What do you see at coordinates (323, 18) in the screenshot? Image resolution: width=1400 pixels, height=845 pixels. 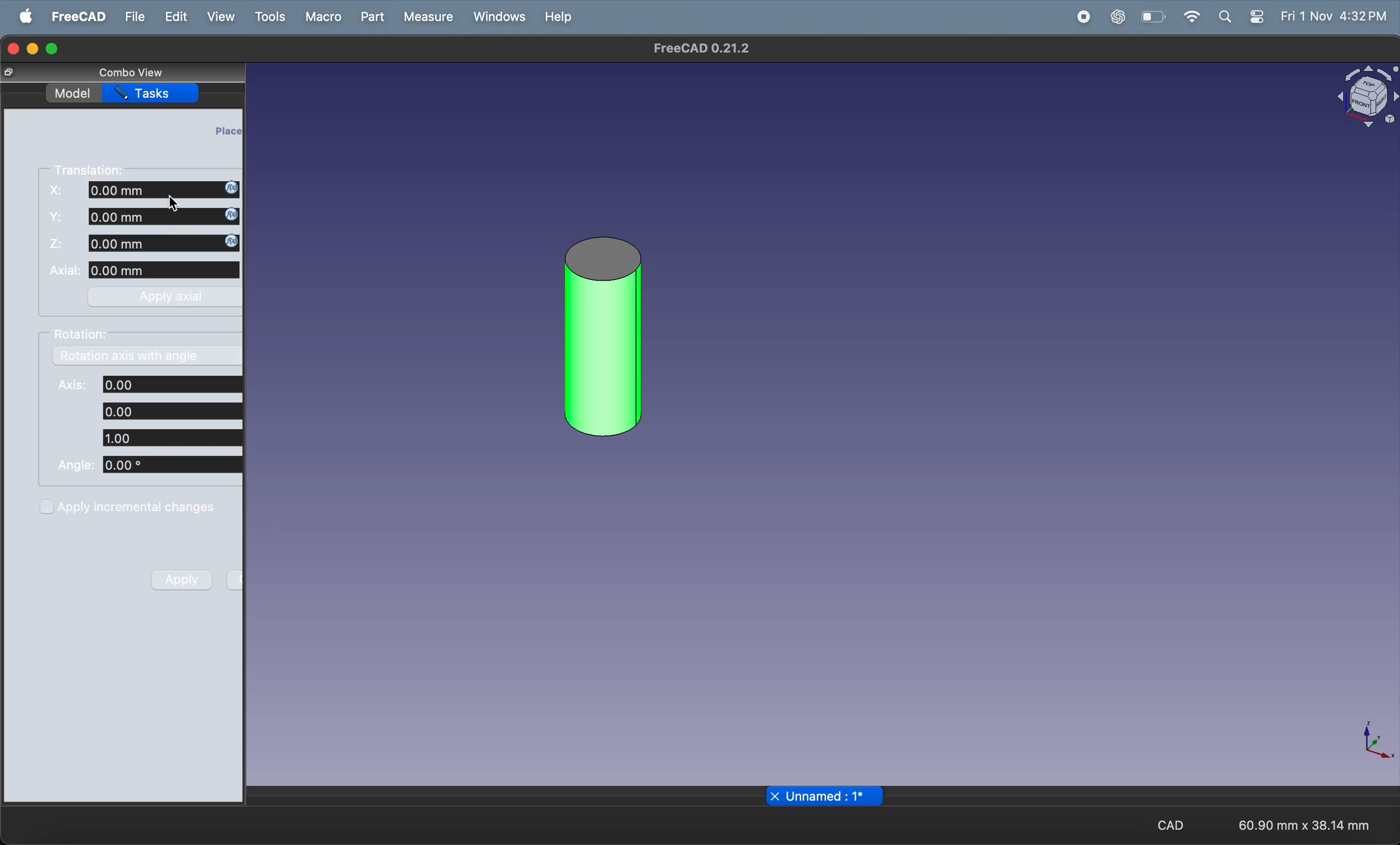 I see `macro` at bounding box center [323, 18].